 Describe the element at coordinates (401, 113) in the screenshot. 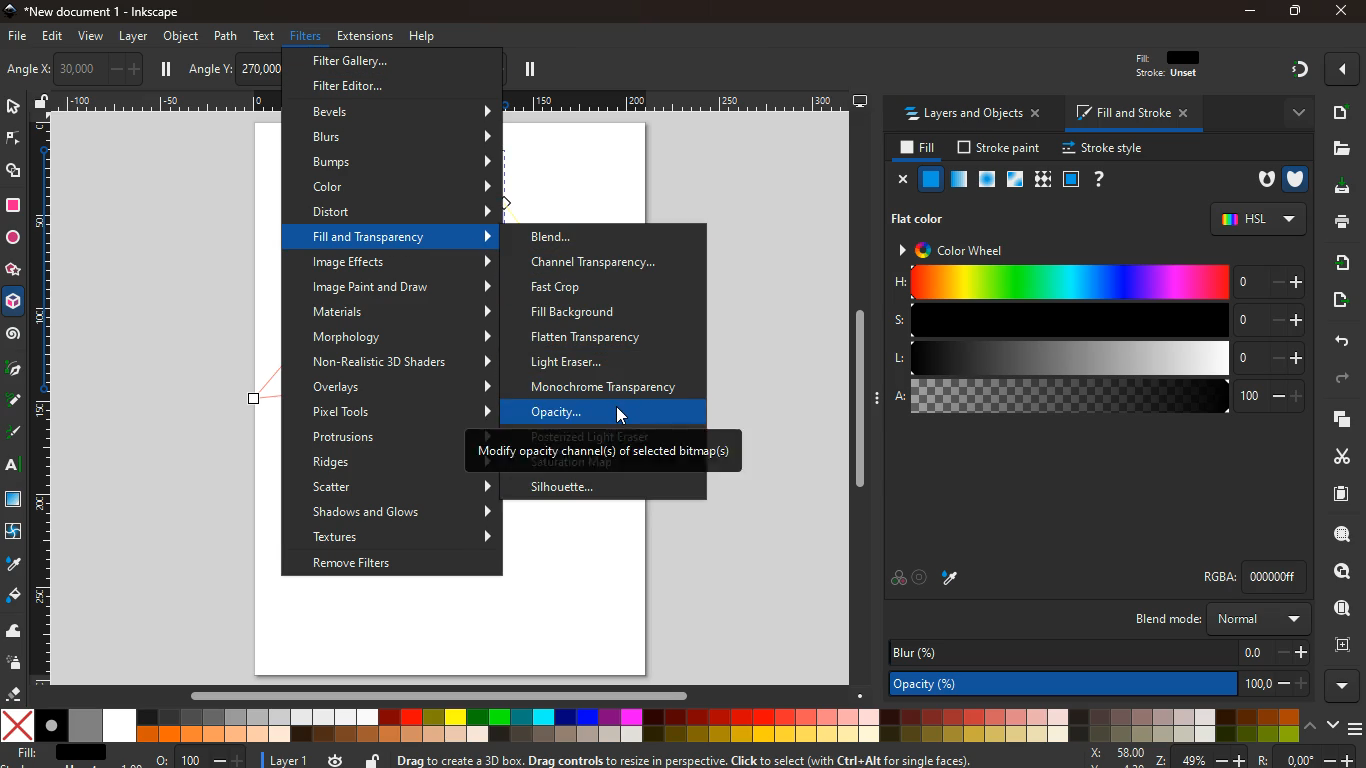

I see `bevels` at that location.